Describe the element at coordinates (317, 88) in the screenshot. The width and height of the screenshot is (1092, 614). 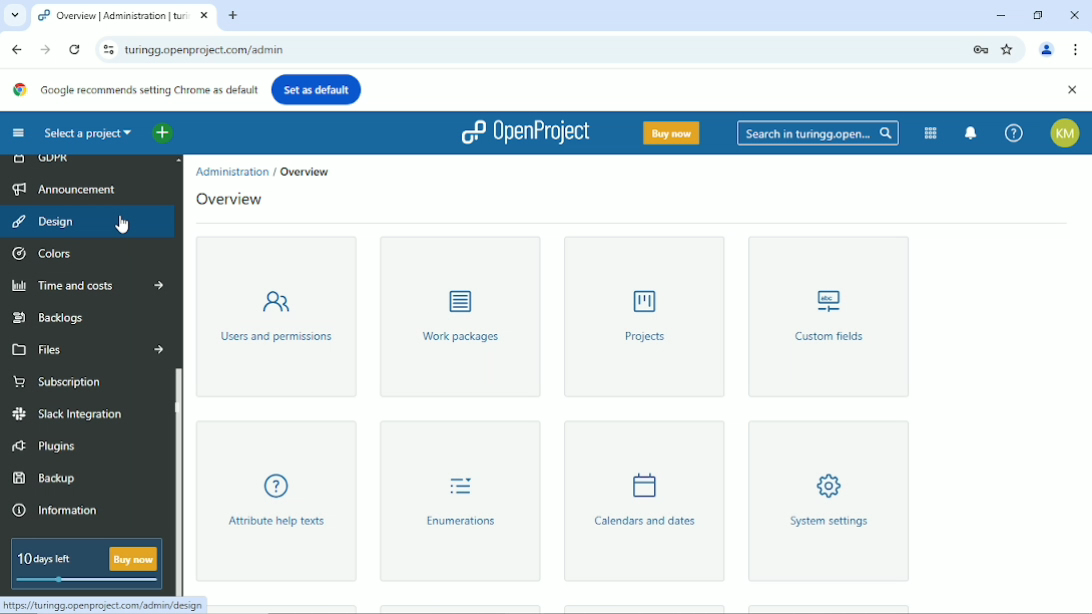
I see `Set as default ` at that location.